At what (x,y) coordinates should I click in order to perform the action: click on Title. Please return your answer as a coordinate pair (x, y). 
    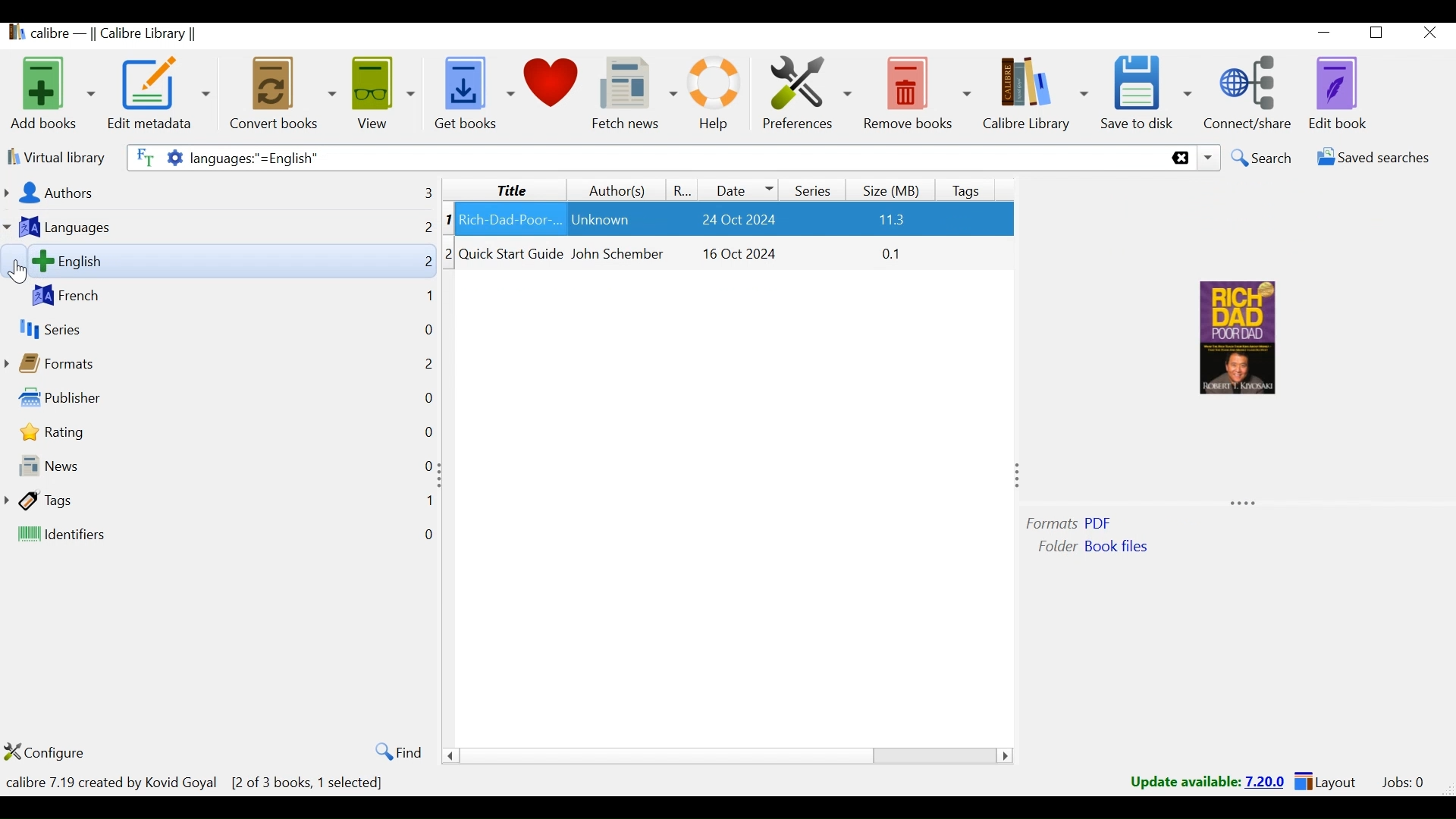
    Looking at the image, I should click on (503, 189).